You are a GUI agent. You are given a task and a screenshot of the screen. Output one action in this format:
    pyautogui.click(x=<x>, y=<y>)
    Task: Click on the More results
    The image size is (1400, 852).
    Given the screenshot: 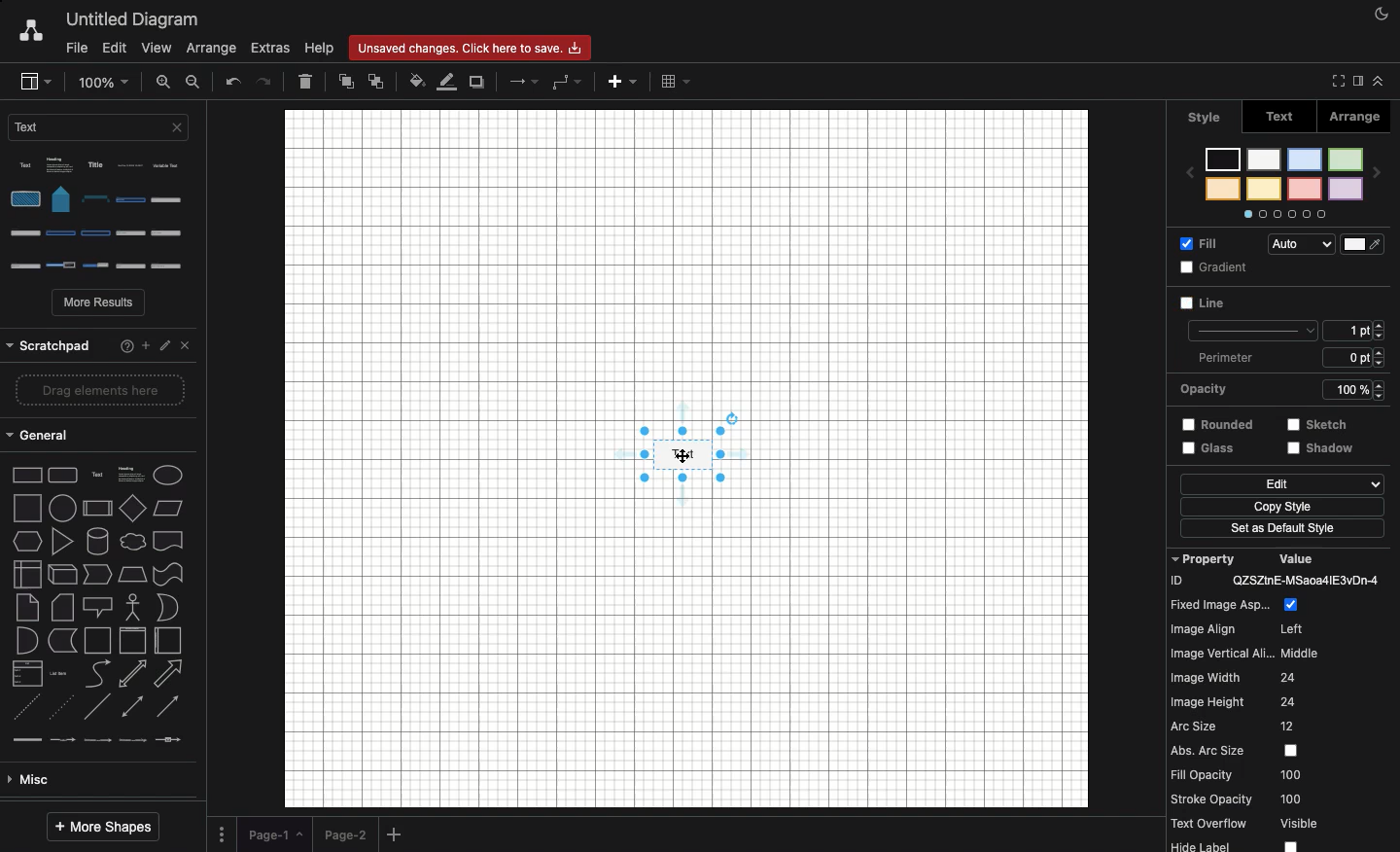 What is the action you would take?
    pyautogui.click(x=100, y=304)
    